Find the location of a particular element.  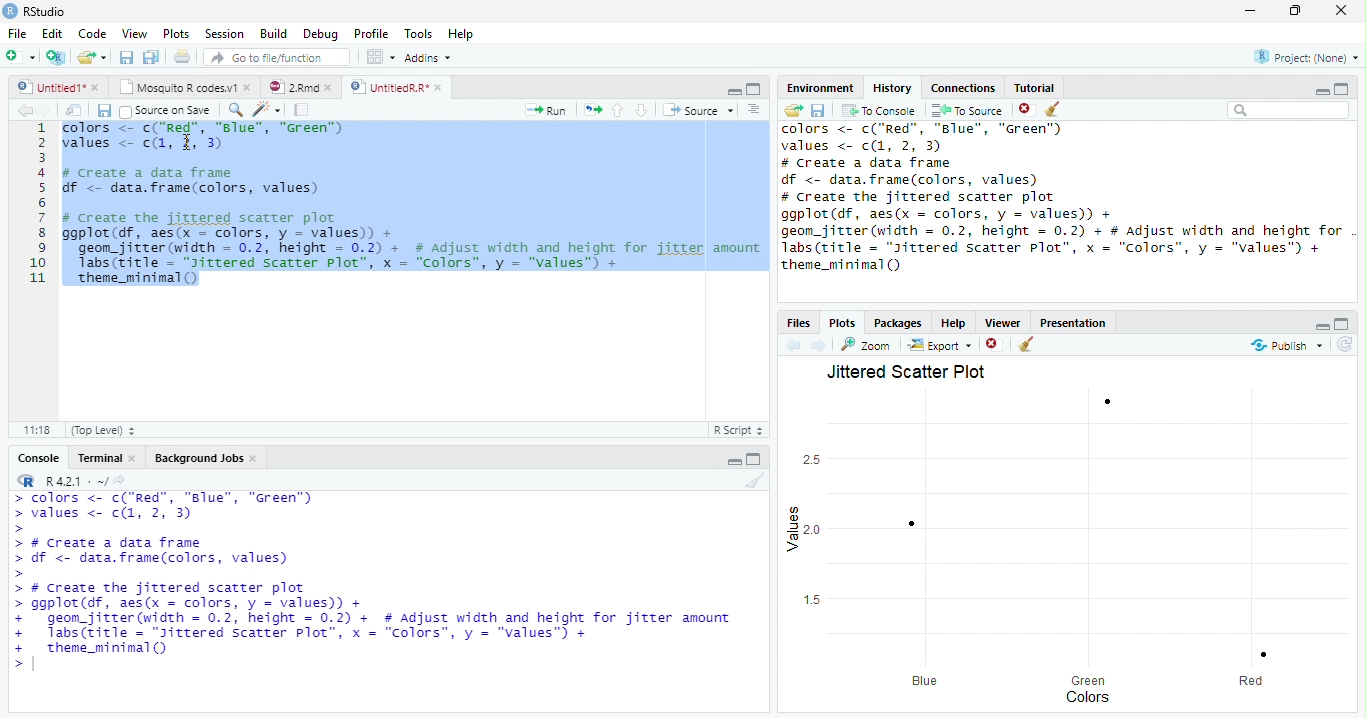

To Console is located at coordinates (878, 111).